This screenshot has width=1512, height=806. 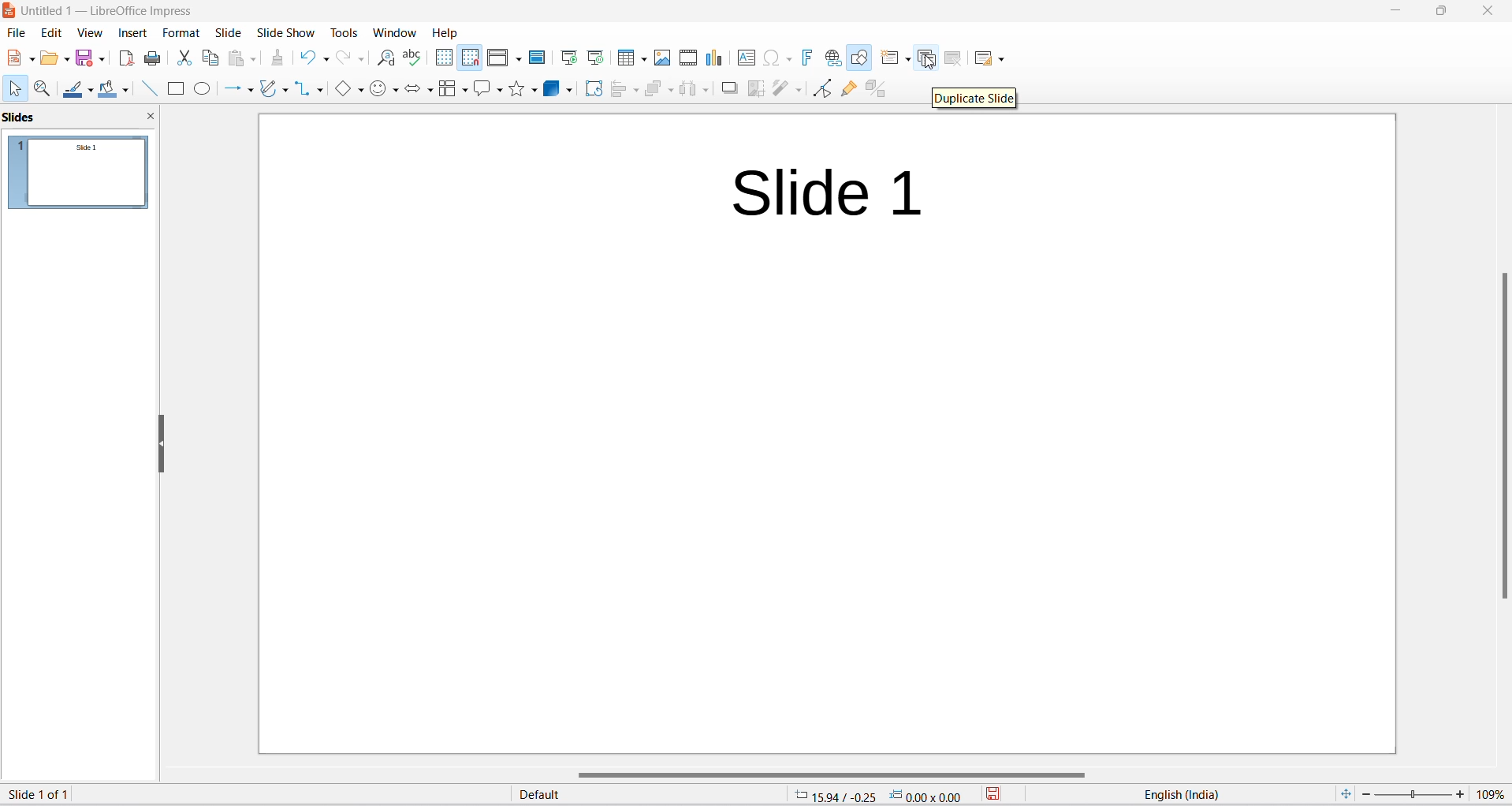 I want to click on hide sidebar, so click(x=158, y=444).